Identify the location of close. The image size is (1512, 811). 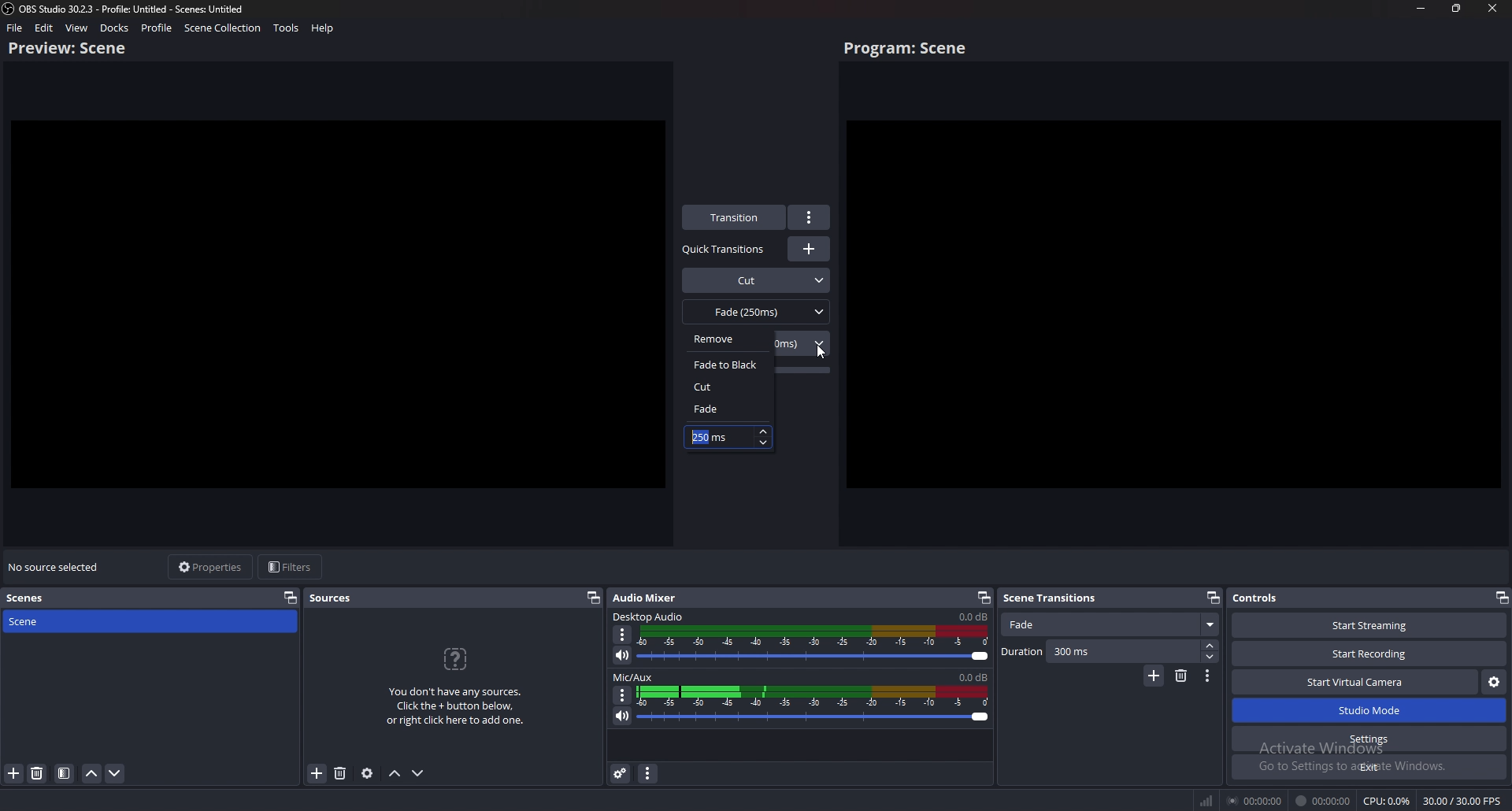
(1492, 8).